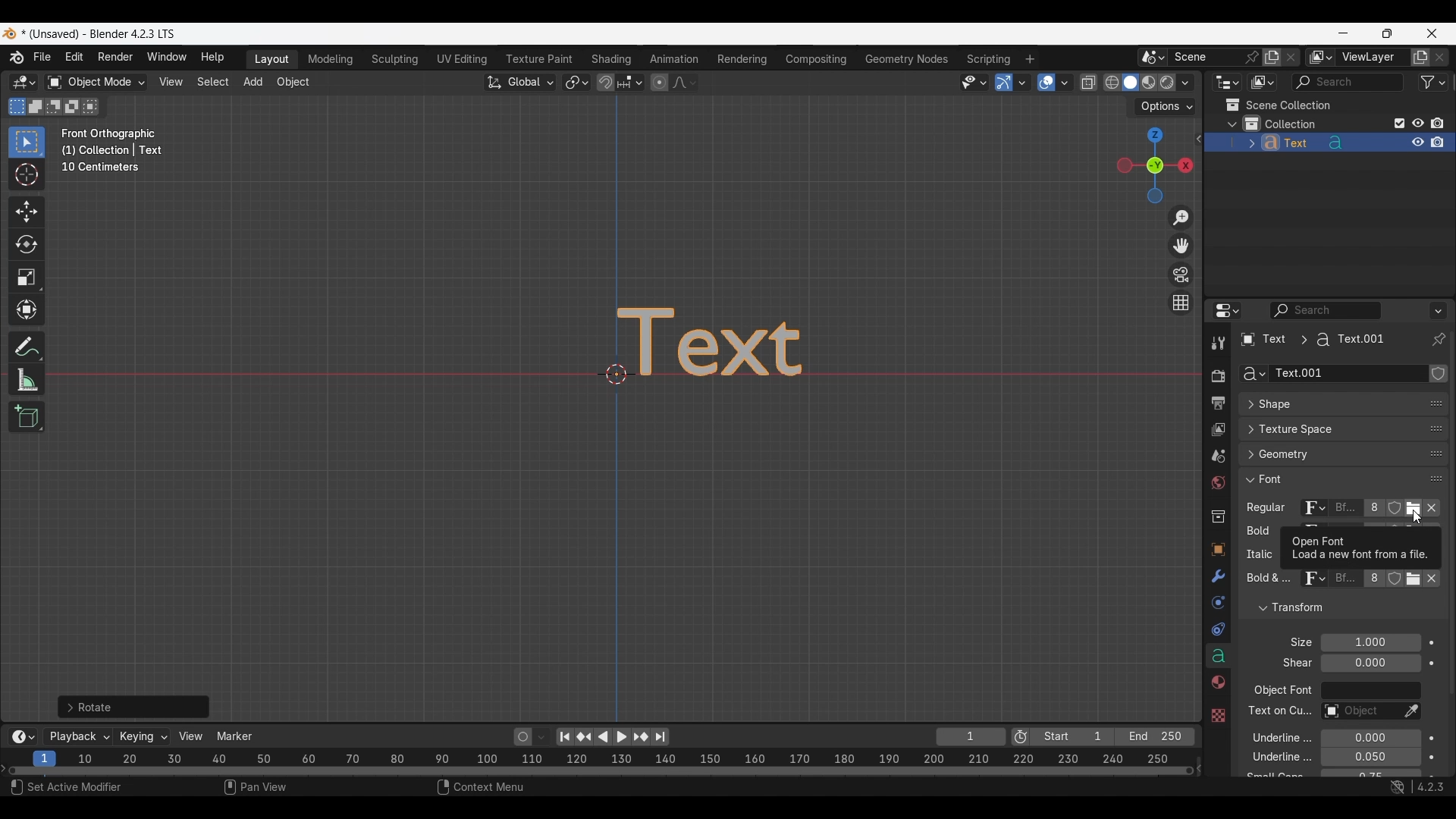  What do you see at coordinates (1272, 776) in the screenshot?
I see `text` at bounding box center [1272, 776].